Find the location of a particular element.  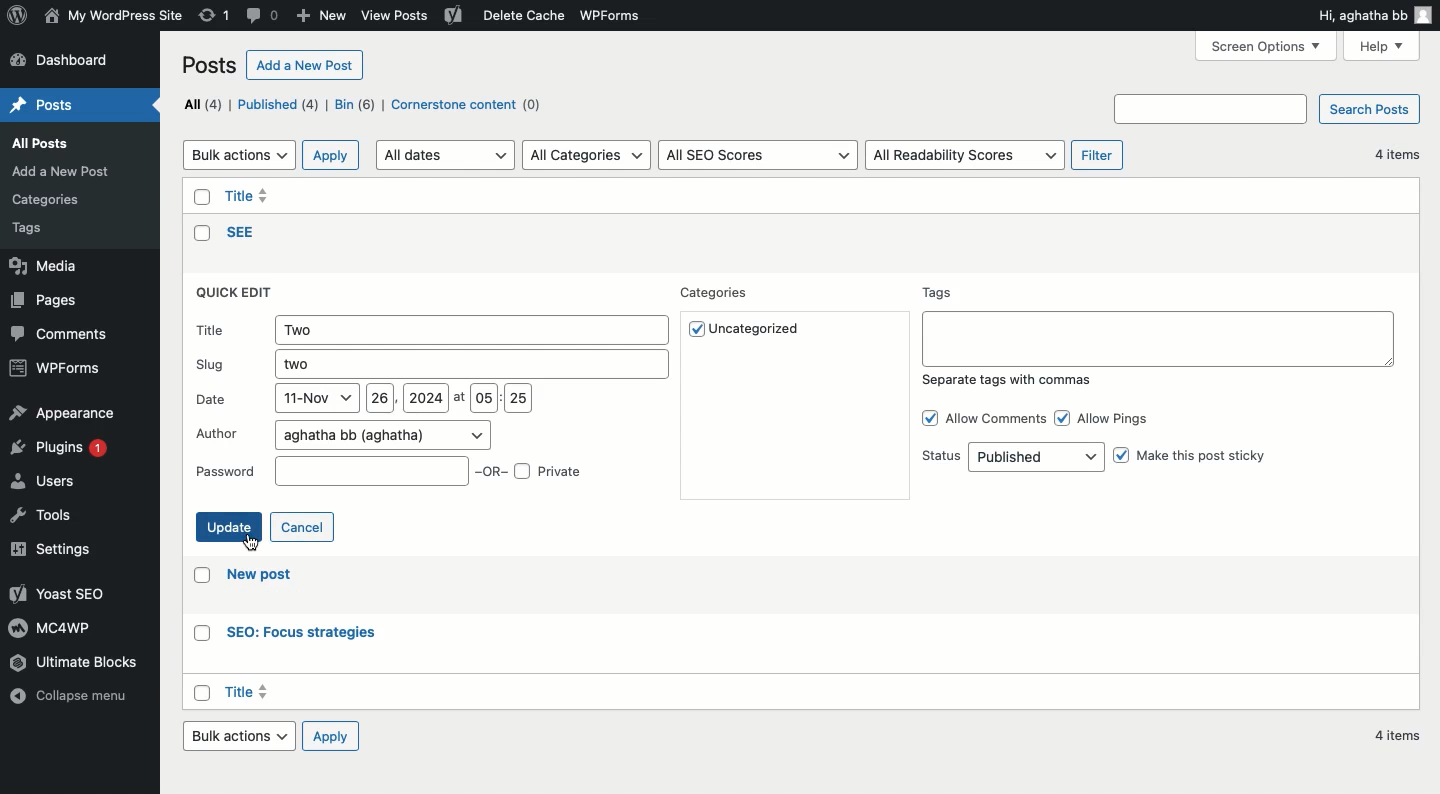

Make this post sticky is located at coordinates (1203, 462).